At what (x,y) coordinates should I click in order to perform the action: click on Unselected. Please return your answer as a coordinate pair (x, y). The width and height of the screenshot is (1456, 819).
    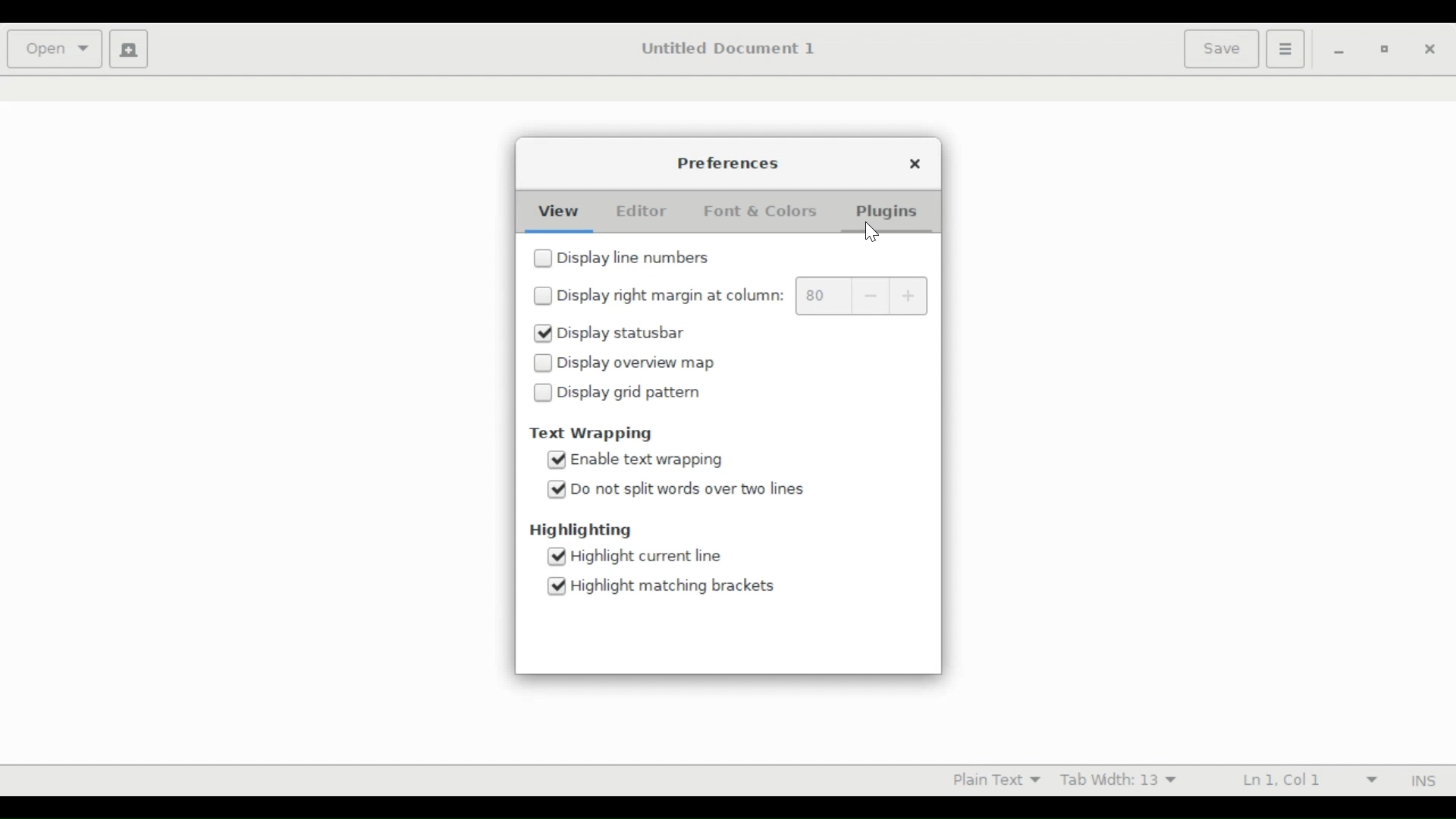
    Looking at the image, I should click on (542, 363).